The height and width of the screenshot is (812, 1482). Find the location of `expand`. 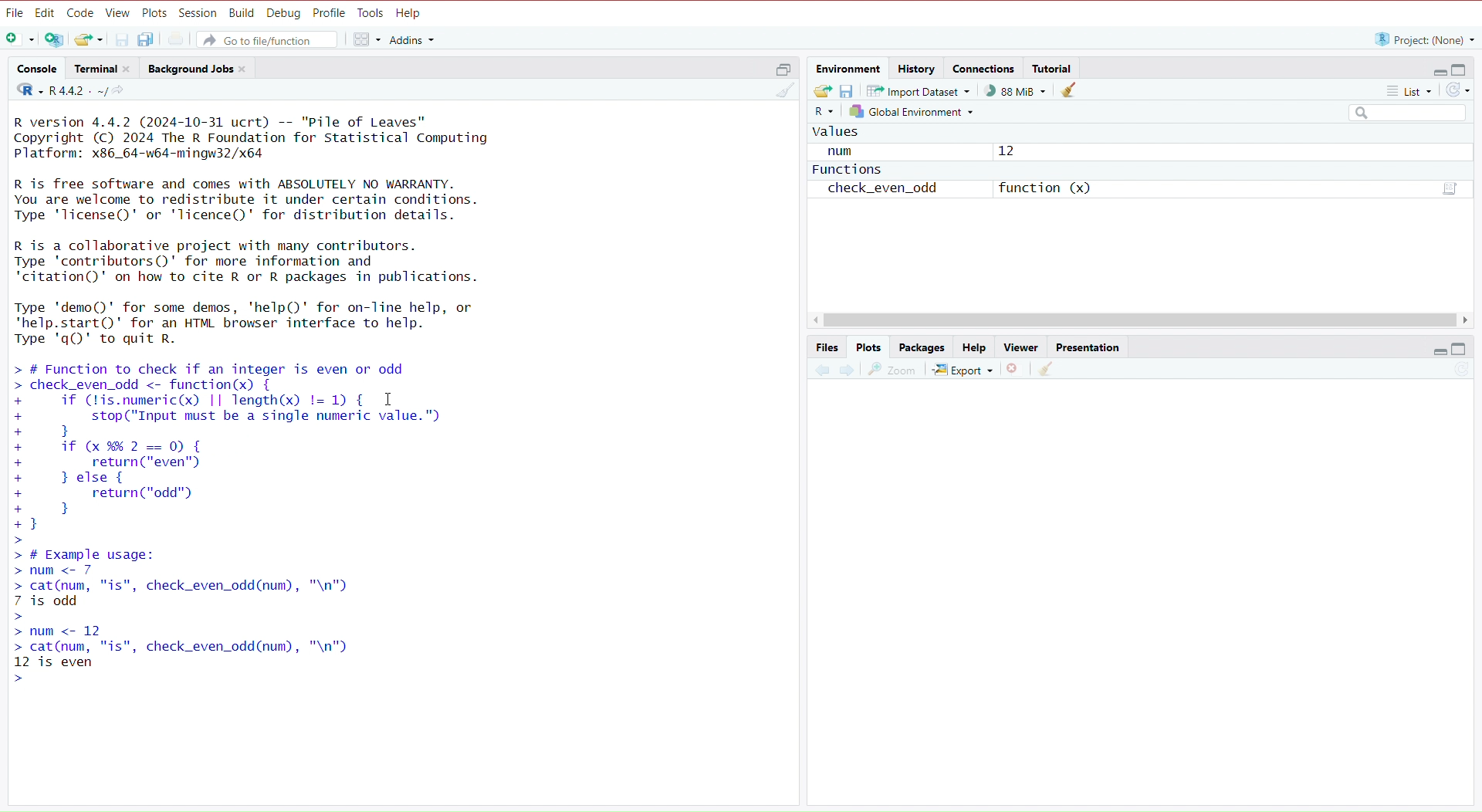

expand is located at coordinates (1437, 350).